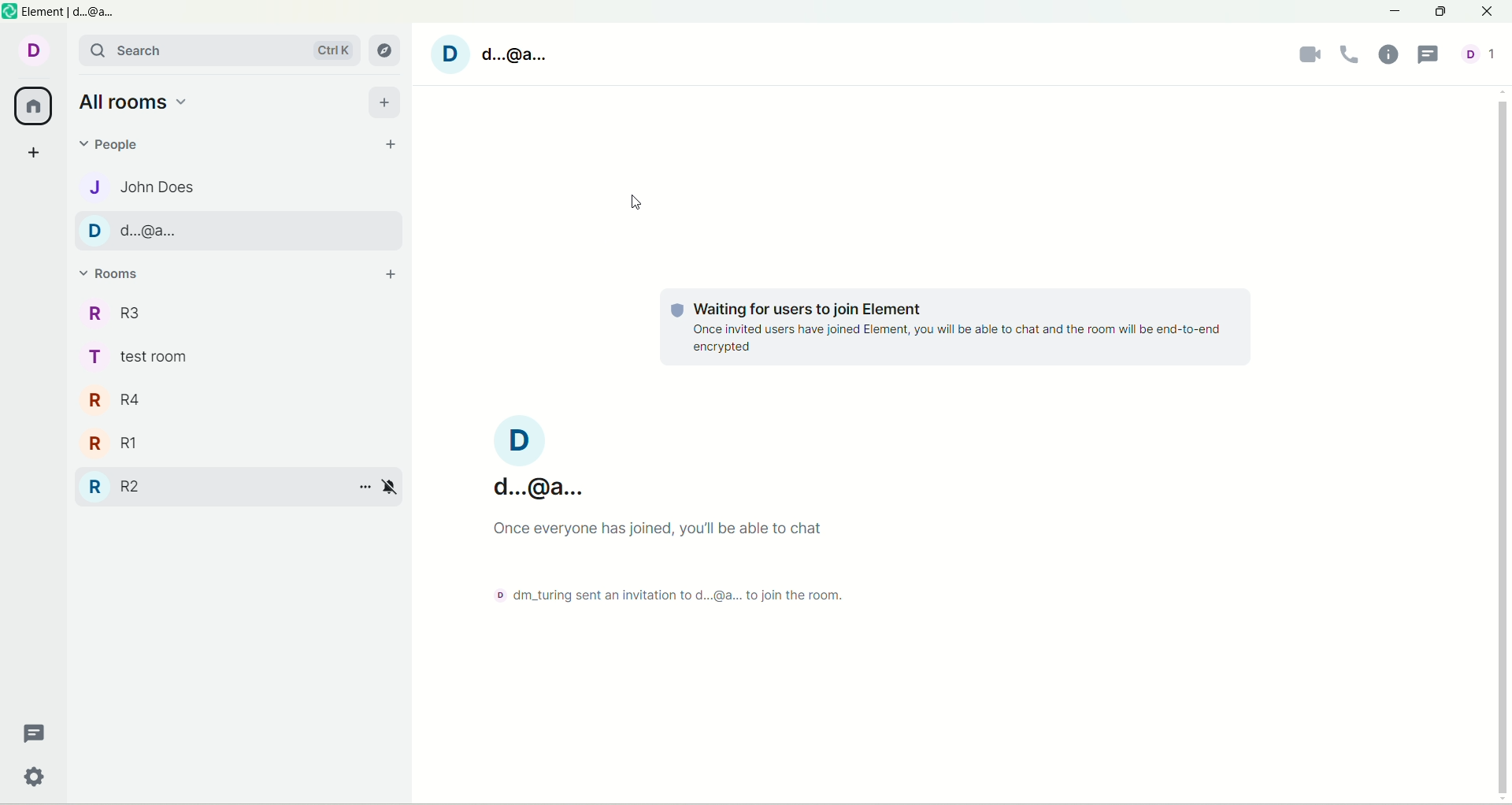 This screenshot has width=1512, height=805. I want to click on text, so click(683, 594).